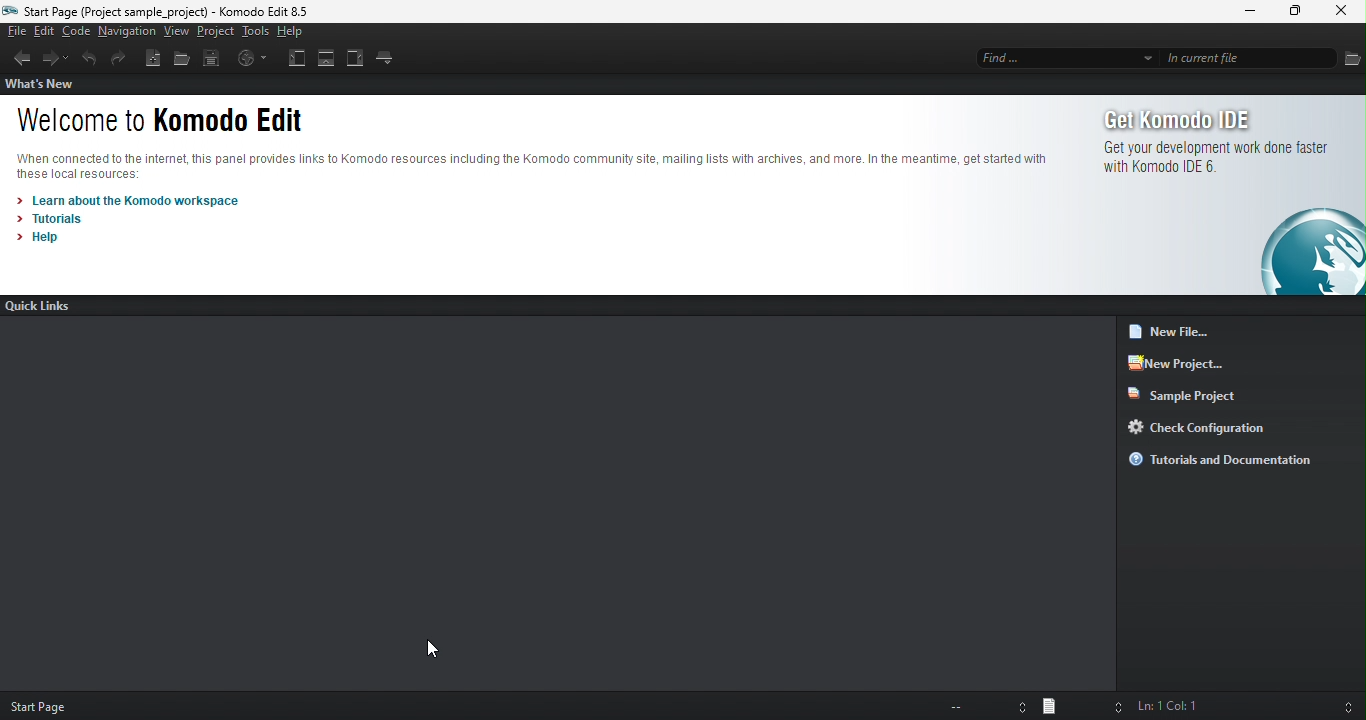  I want to click on tutorials and documentation, so click(1230, 458).